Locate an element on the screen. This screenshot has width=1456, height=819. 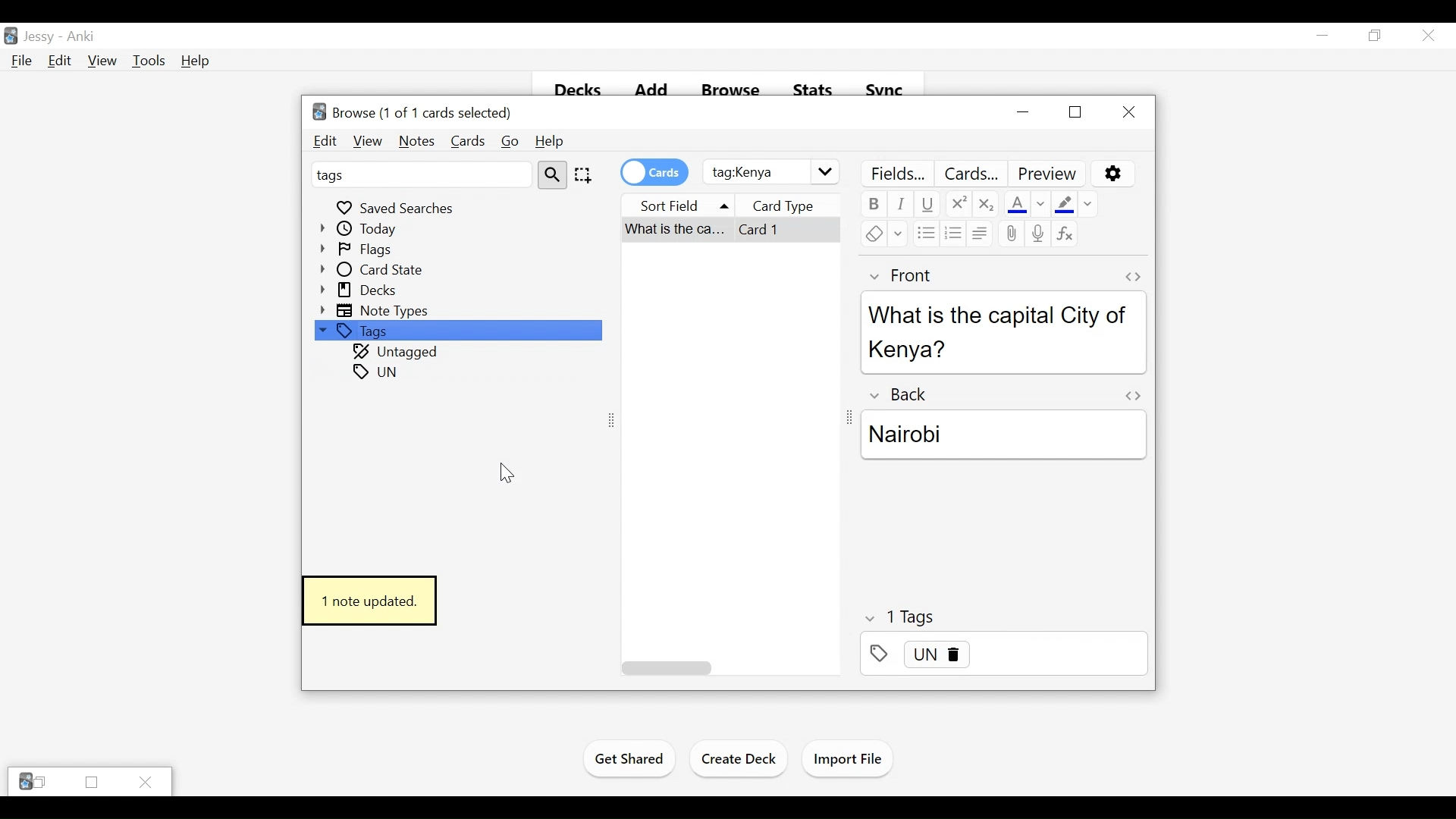
What is the capital city of Kenya? is located at coordinates (1002, 331).